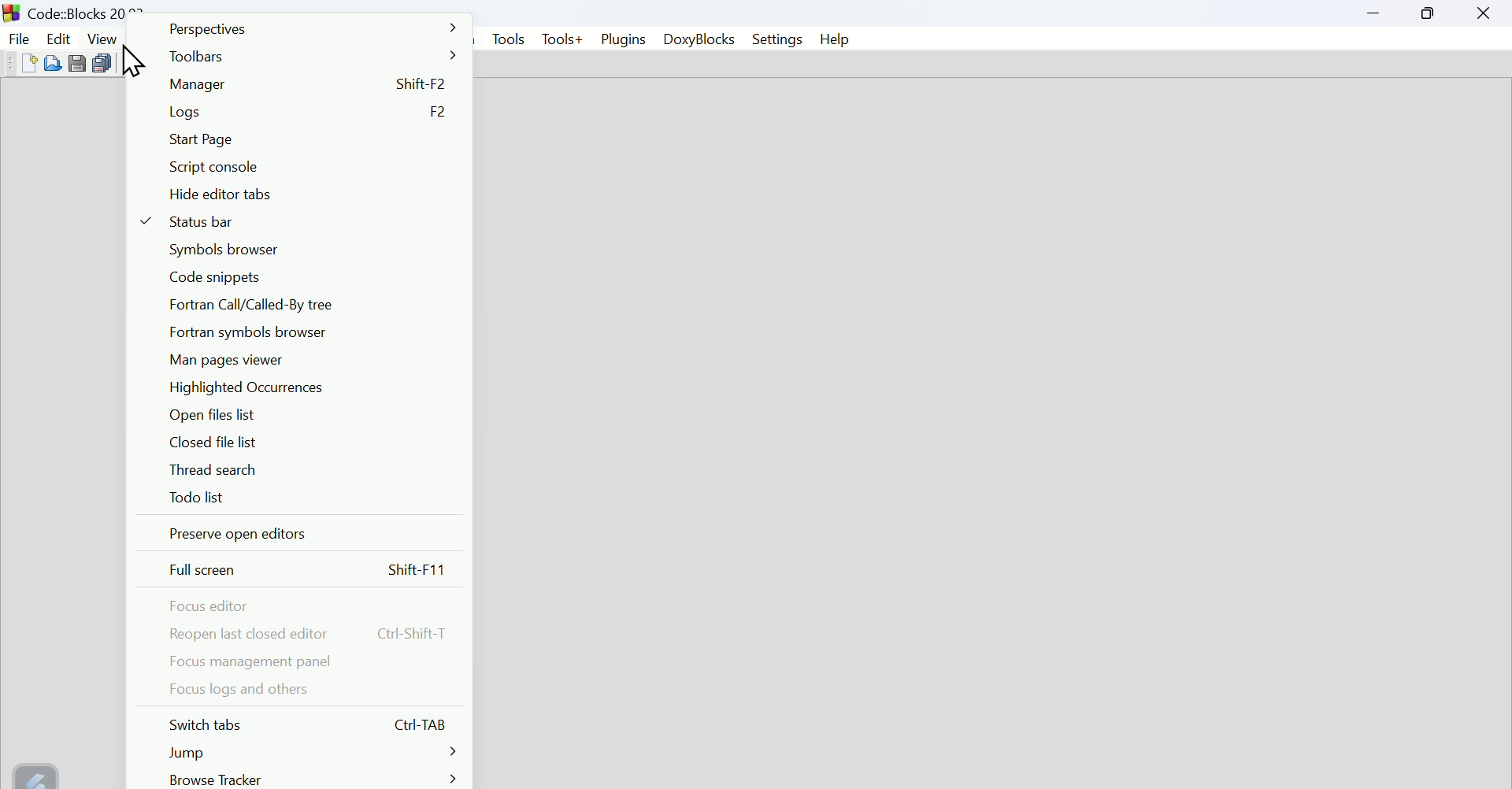 This screenshot has height=789, width=1512. I want to click on Close, so click(1484, 13).